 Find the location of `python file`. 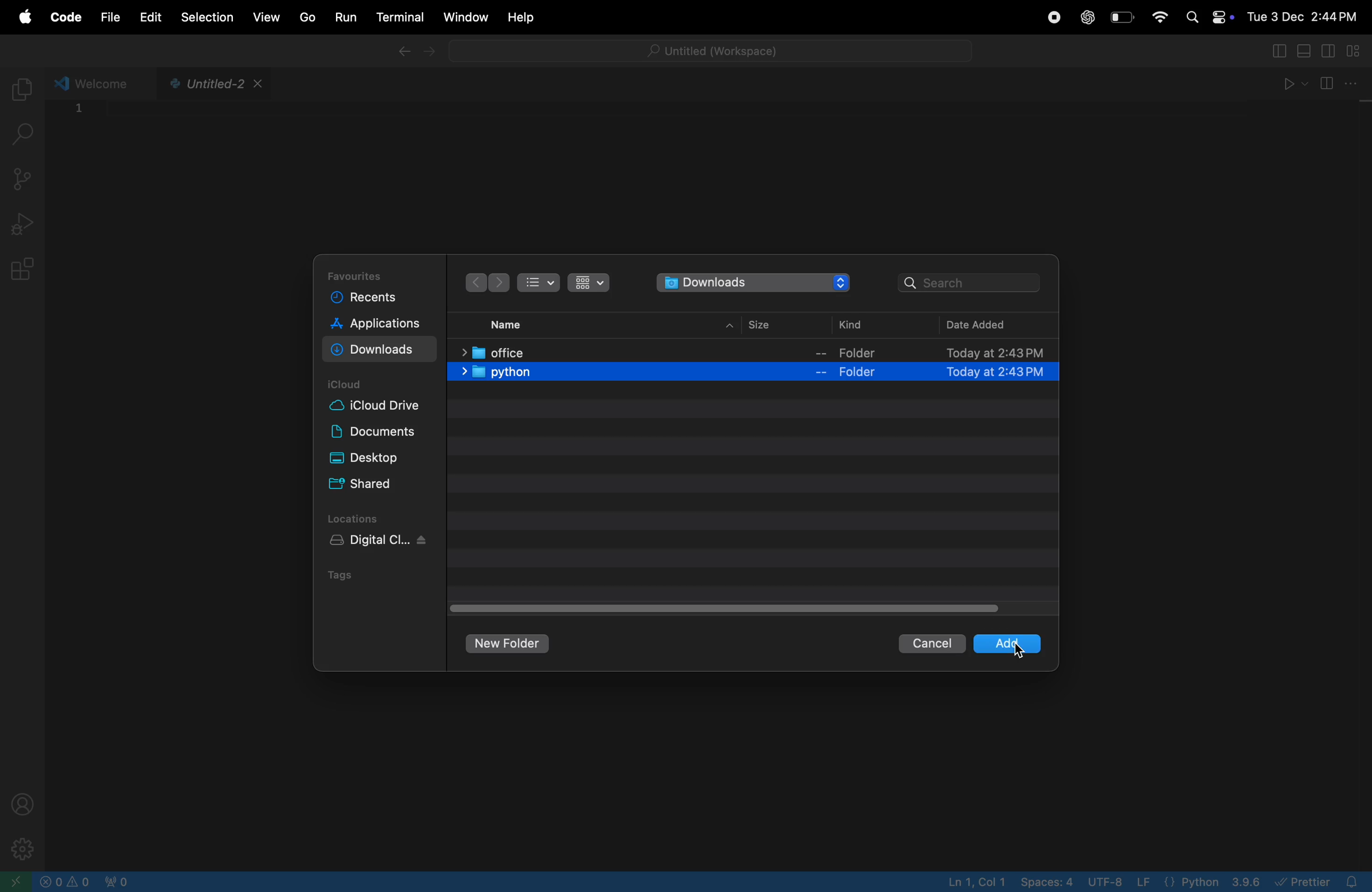

python file is located at coordinates (212, 85).